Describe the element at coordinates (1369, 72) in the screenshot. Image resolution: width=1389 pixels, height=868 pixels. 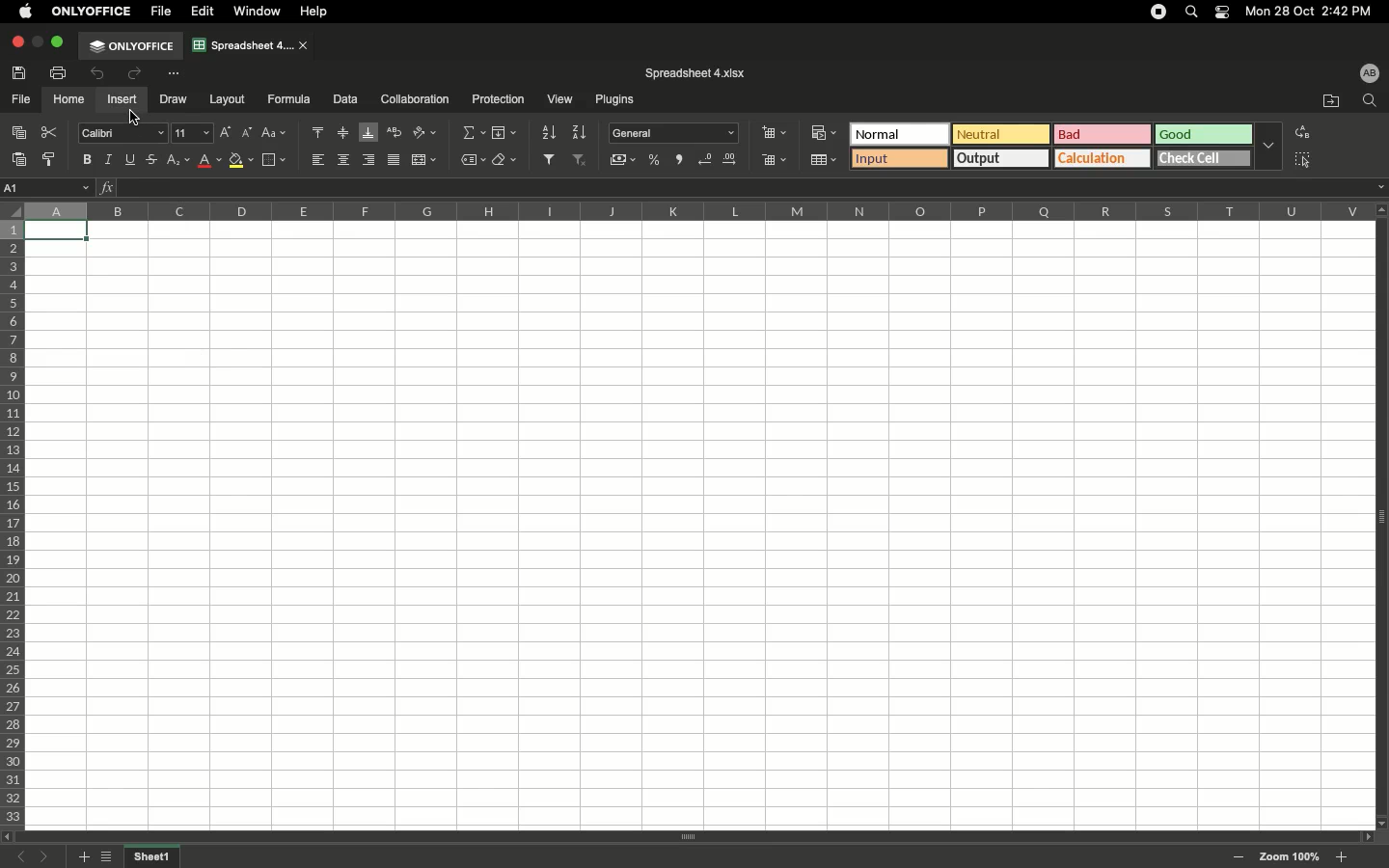
I see `User` at that location.